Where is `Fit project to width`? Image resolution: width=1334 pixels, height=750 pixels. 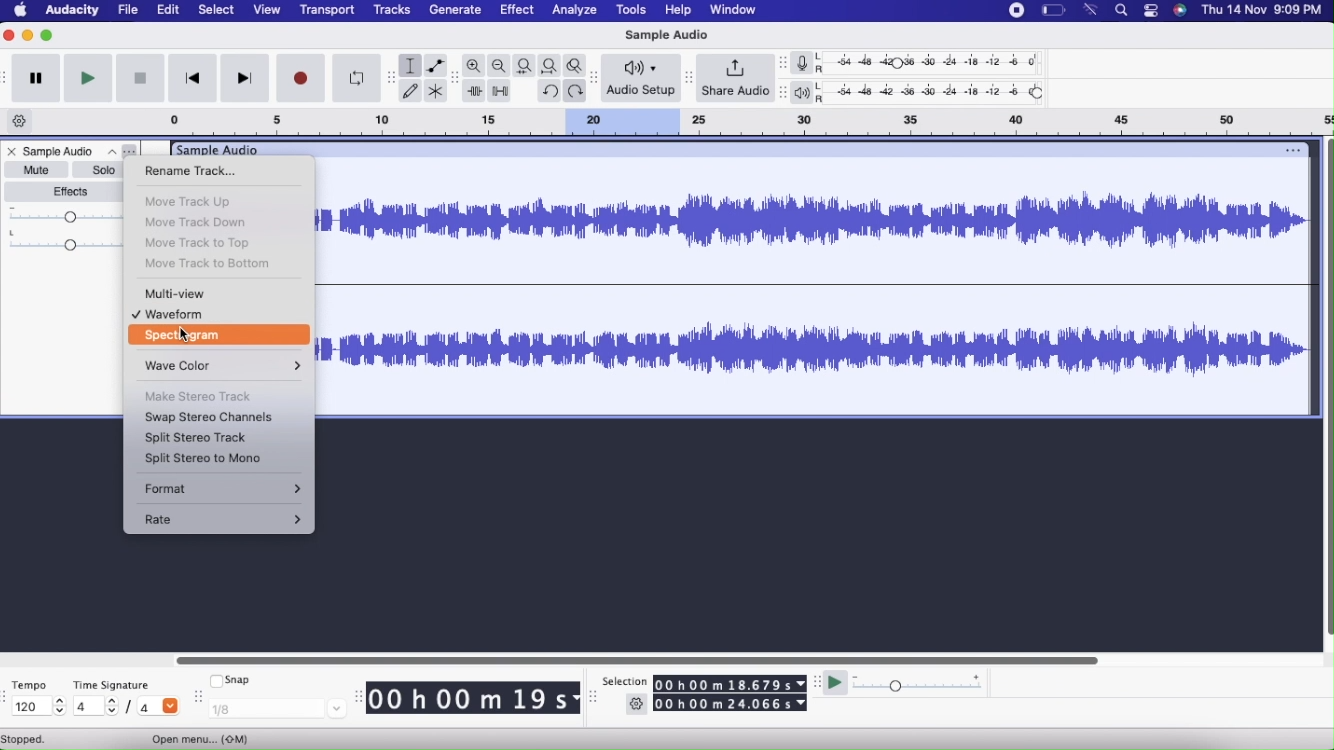 Fit project to width is located at coordinates (551, 65).